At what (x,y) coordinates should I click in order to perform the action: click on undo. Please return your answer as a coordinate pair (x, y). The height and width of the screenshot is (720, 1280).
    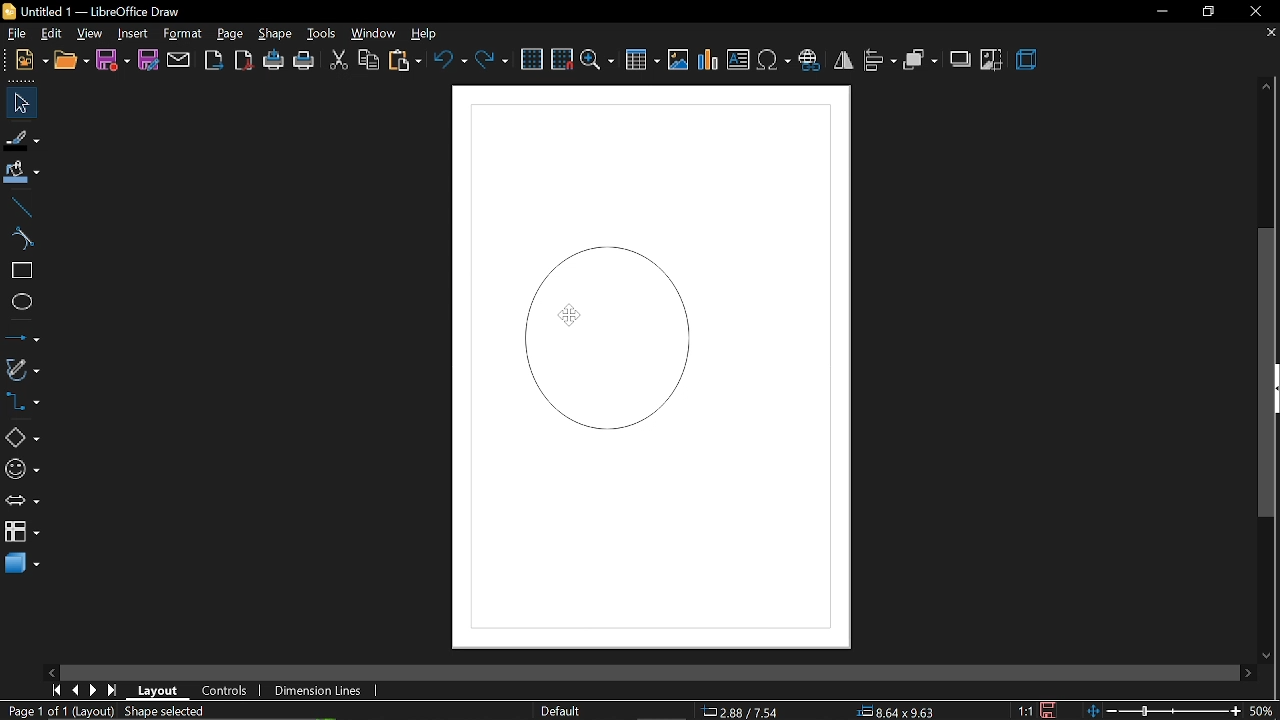
    Looking at the image, I should click on (450, 61).